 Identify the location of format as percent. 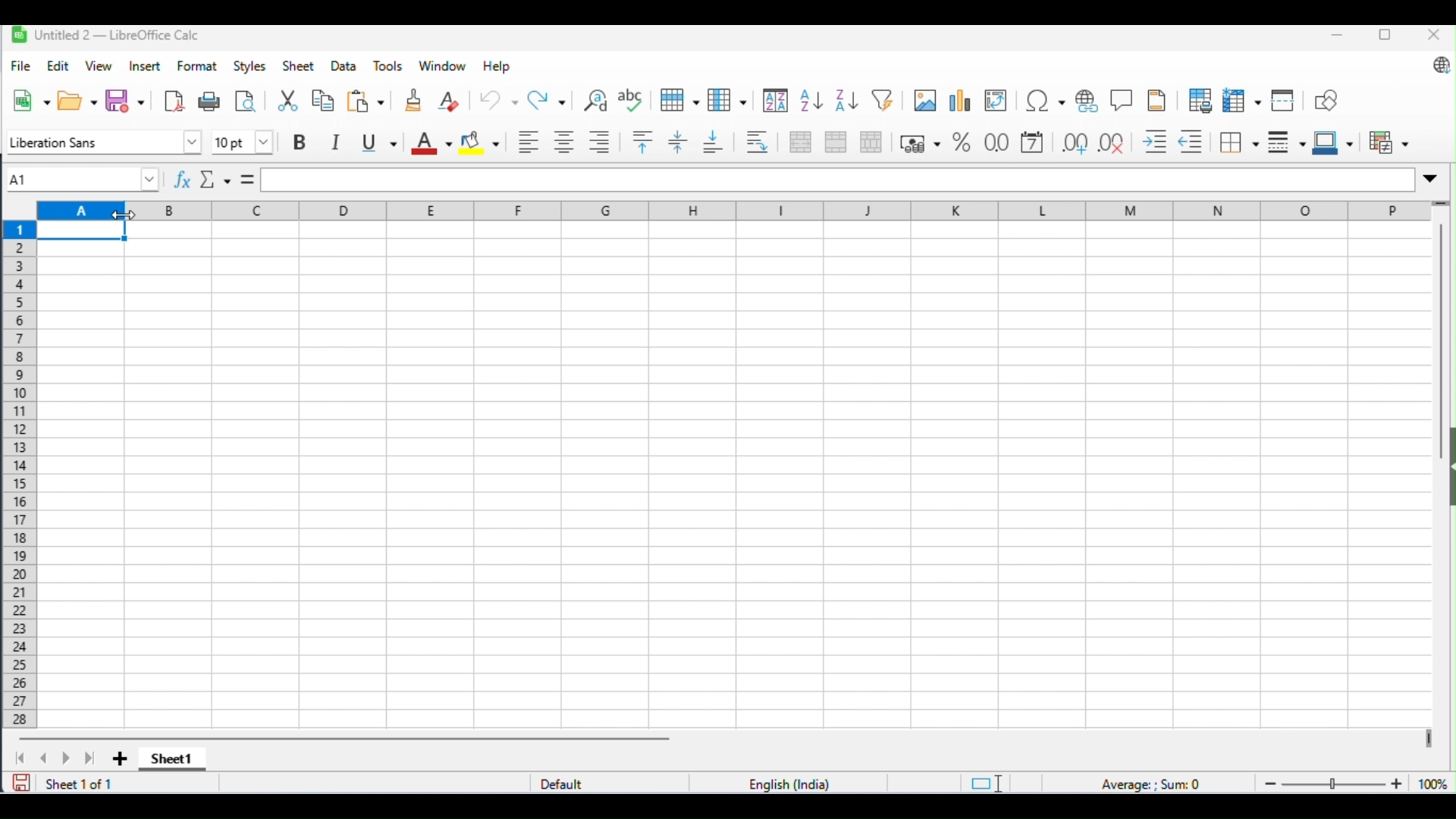
(919, 143).